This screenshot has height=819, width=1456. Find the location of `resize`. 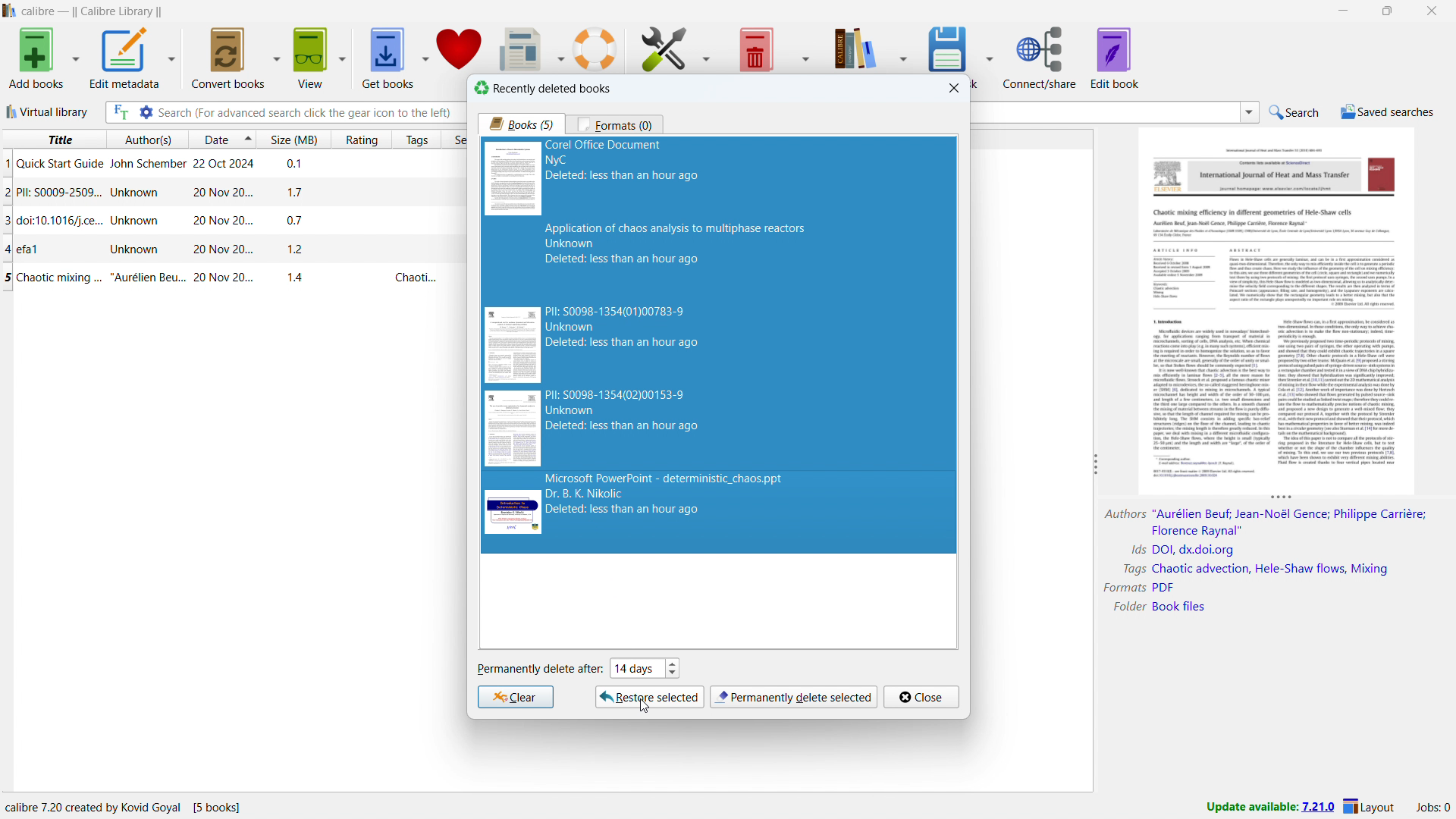

resize is located at coordinates (1282, 498).